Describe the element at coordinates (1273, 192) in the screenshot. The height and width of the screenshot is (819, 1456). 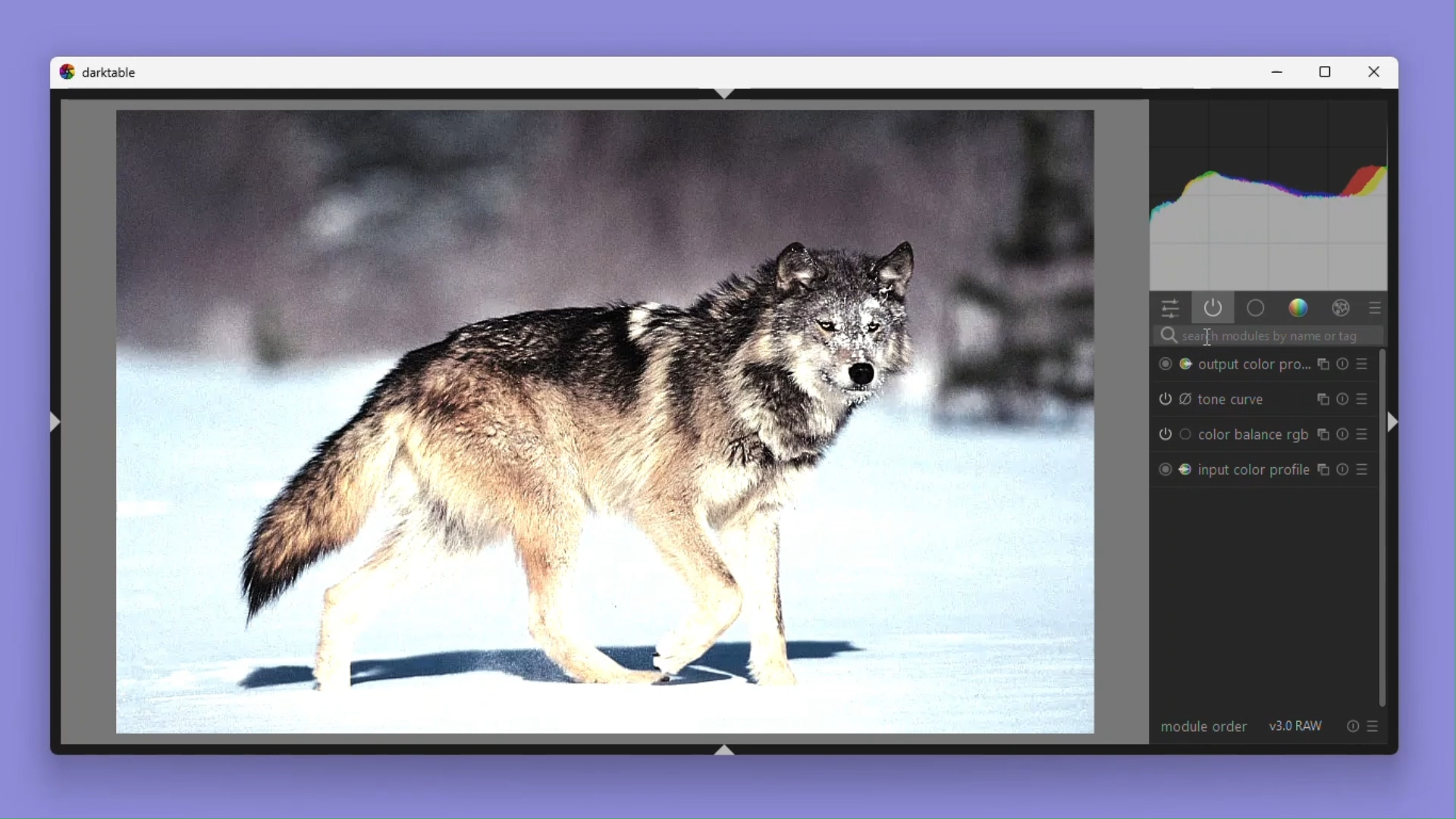
I see `Histogram` at that location.